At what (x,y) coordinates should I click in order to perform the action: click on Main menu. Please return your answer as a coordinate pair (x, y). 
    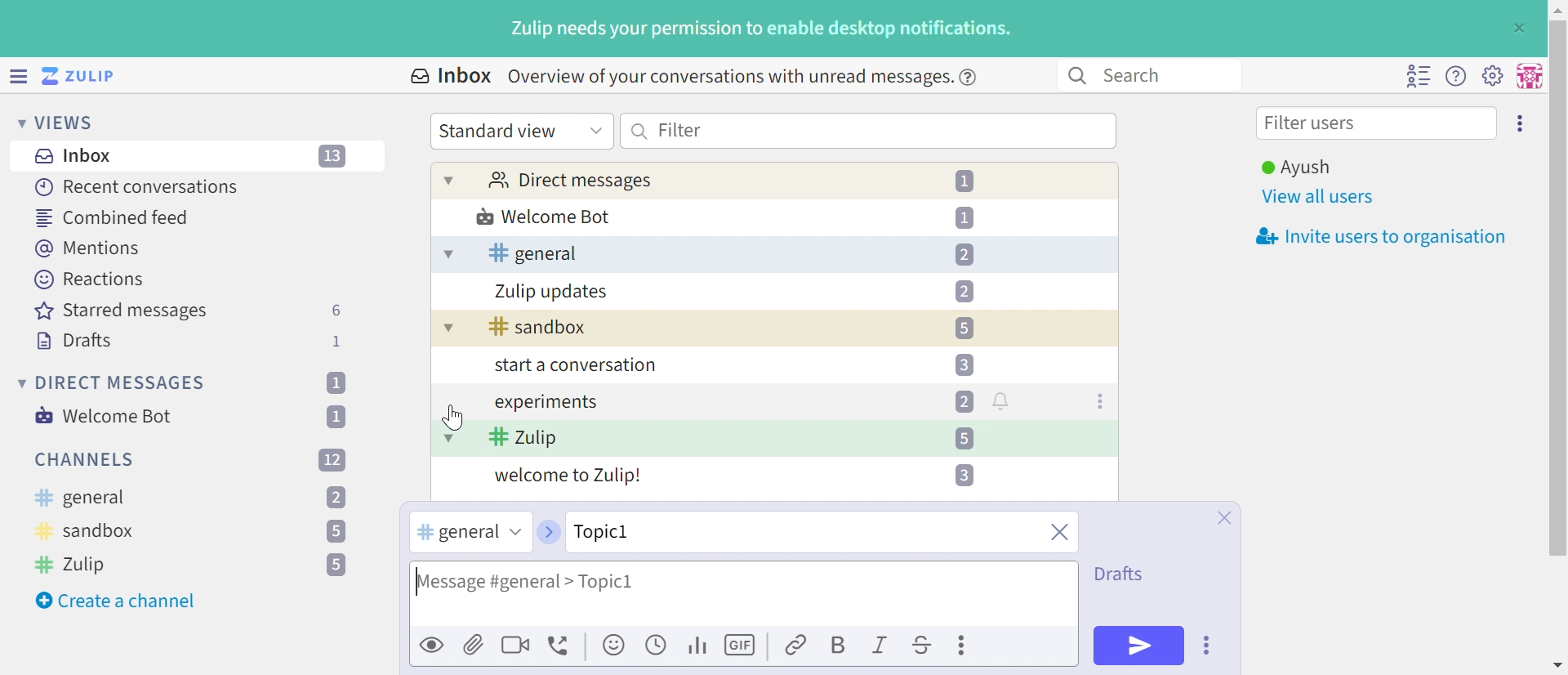
    Looking at the image, I should click on (1492, 74).